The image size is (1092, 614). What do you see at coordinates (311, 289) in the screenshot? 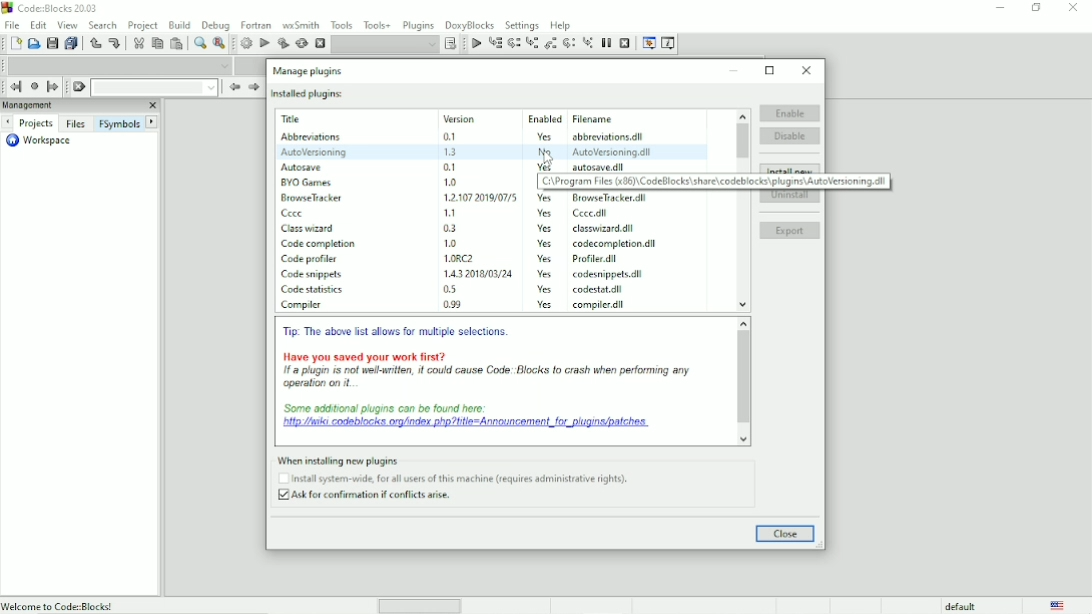
I see `plugin` at bounding box center [311, 289].